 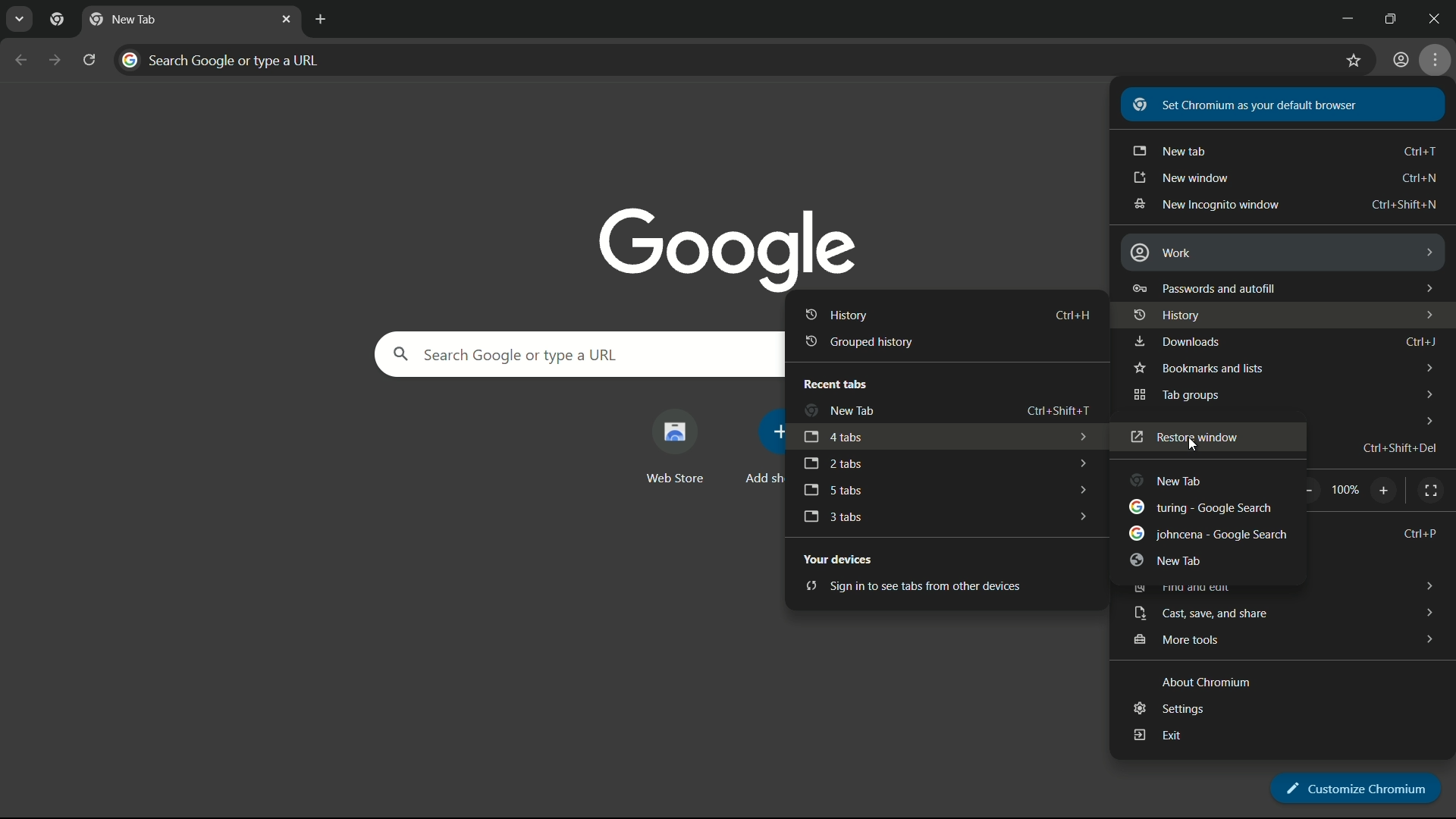 What do you see at coordinates (1169, 560) in the screenshot?
I see `new tab` at bounding box center [1169, 560].